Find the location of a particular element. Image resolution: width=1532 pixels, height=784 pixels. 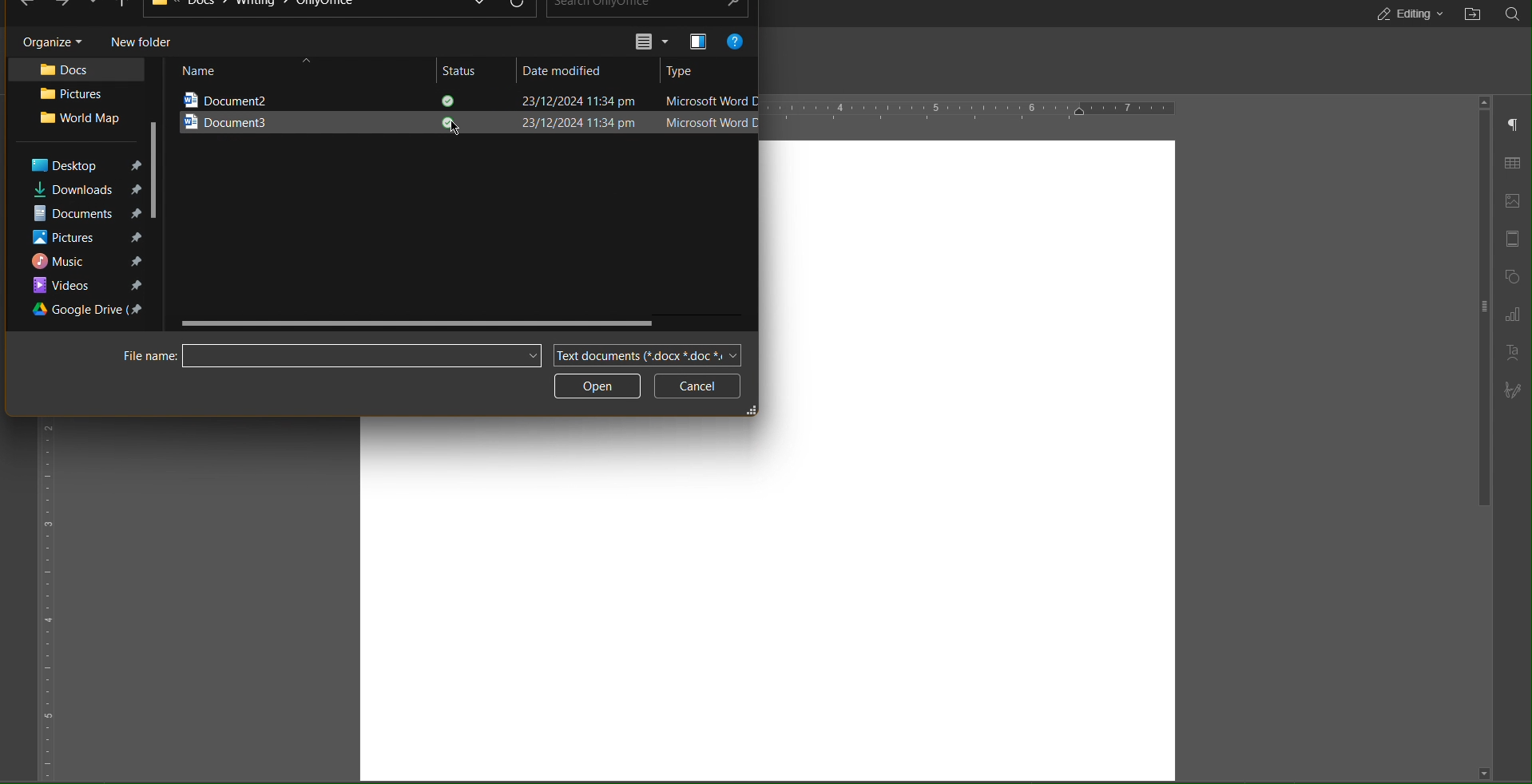

Cancel is located at coordinates (697, 386).